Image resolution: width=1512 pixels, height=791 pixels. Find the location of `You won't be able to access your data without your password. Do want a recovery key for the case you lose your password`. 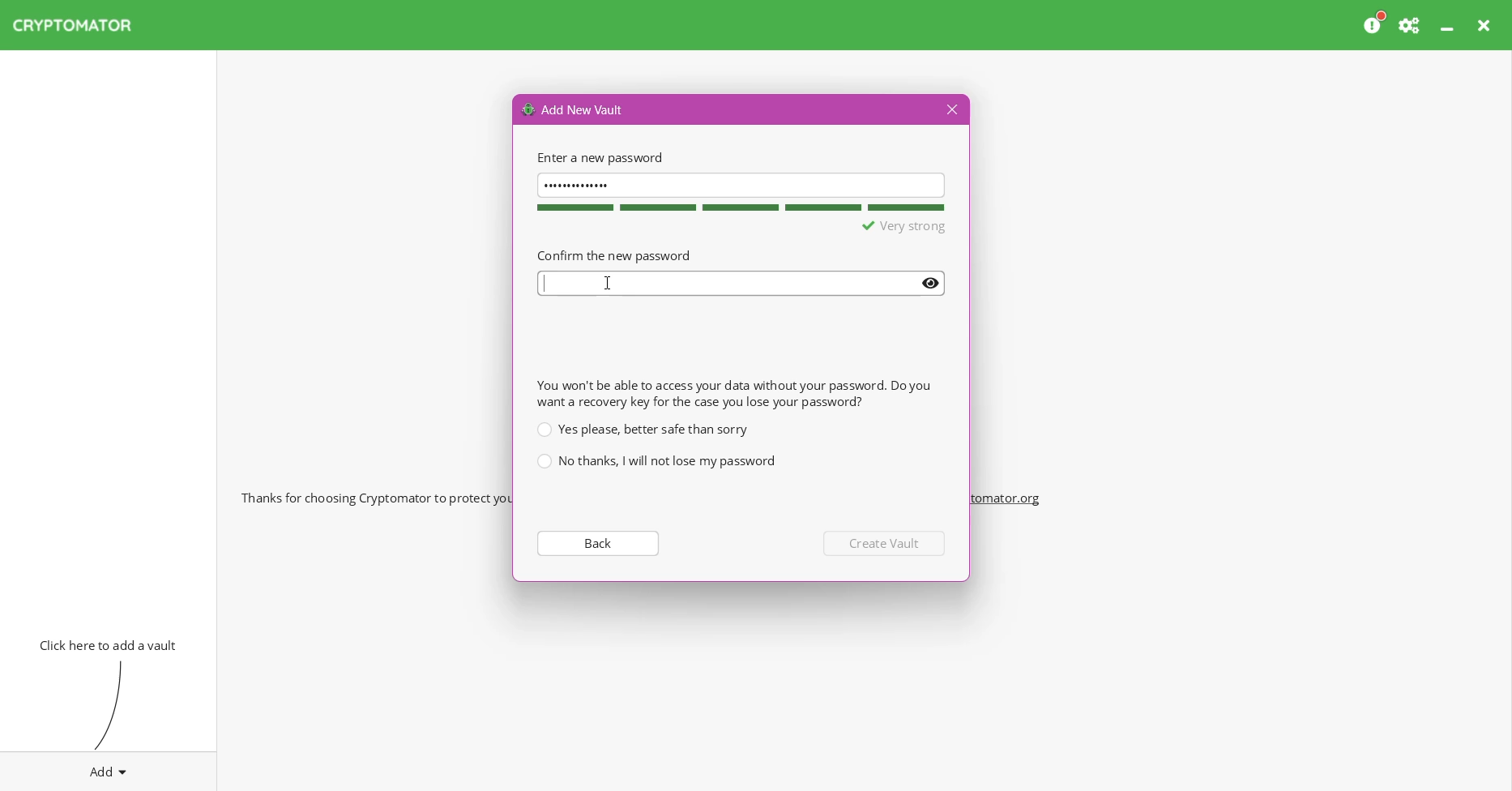

You won't be able to access your data without your password. Do want a recovery key for the case you lose your password is located at coordinates (733, 393).